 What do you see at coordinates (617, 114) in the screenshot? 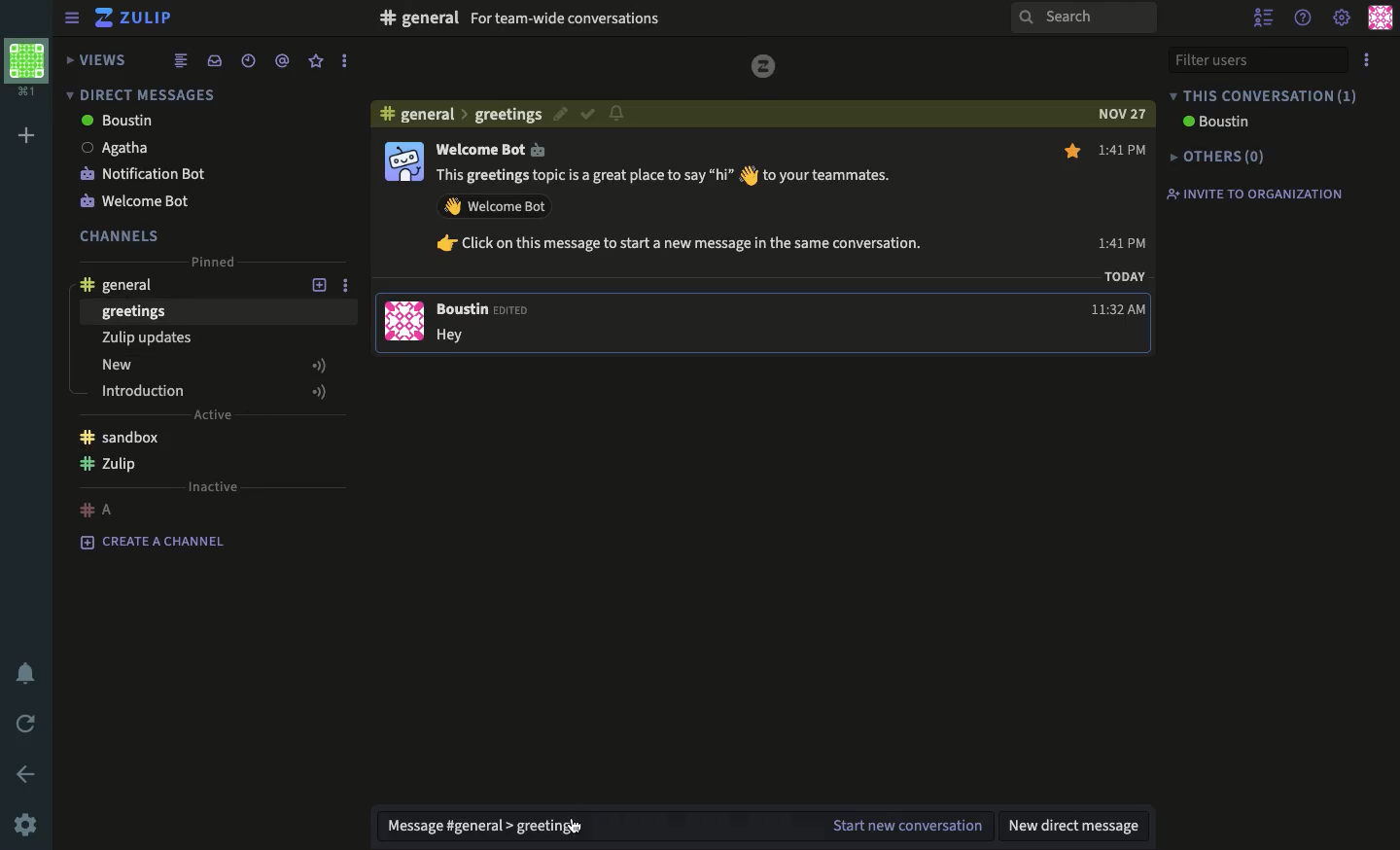
I see `notification` at bounding box center [617, 114].